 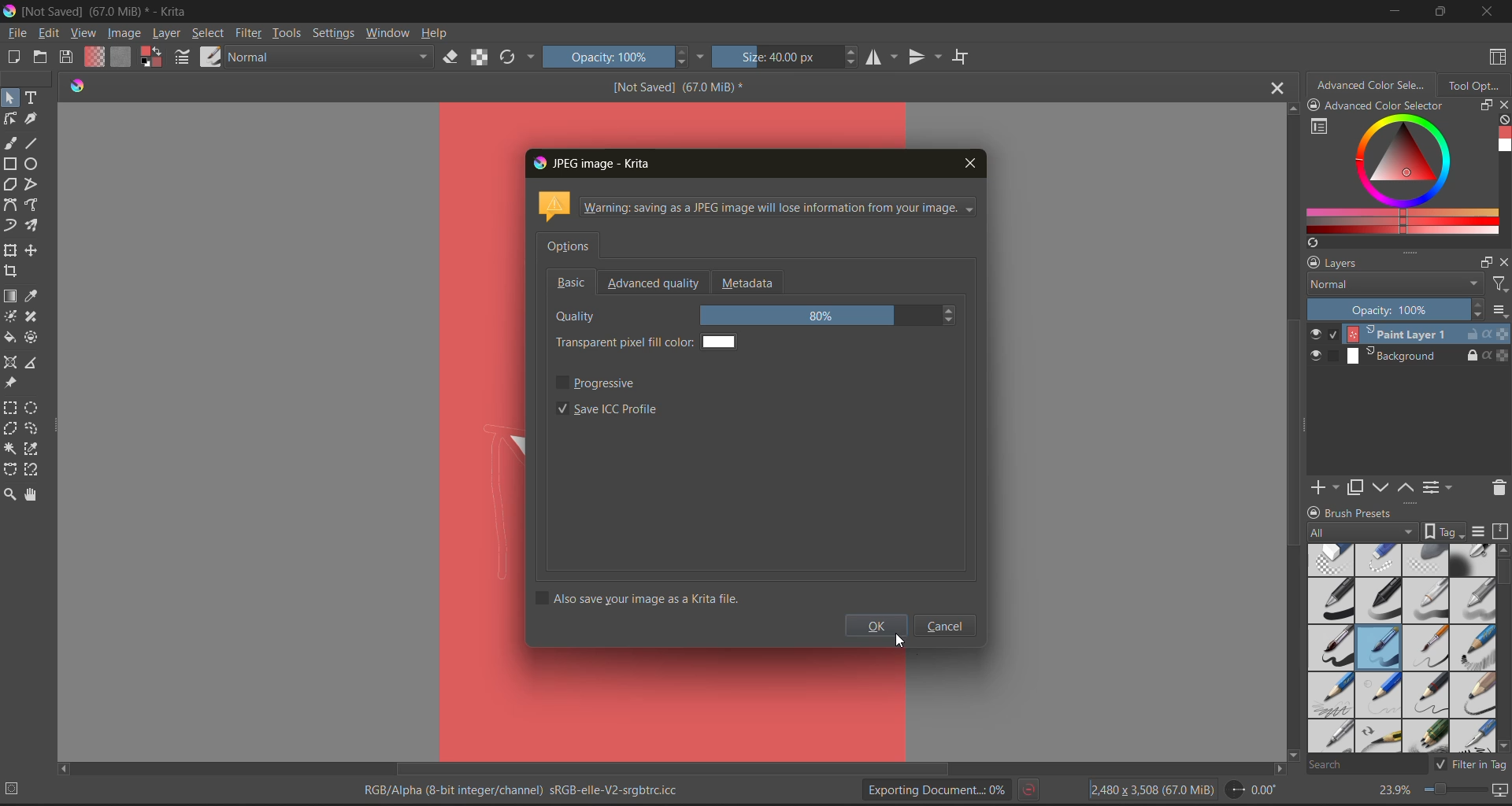 What do you see at coordinates (35, 98) in the screenshot?
I see `tools` at bounding box center [35, 98].